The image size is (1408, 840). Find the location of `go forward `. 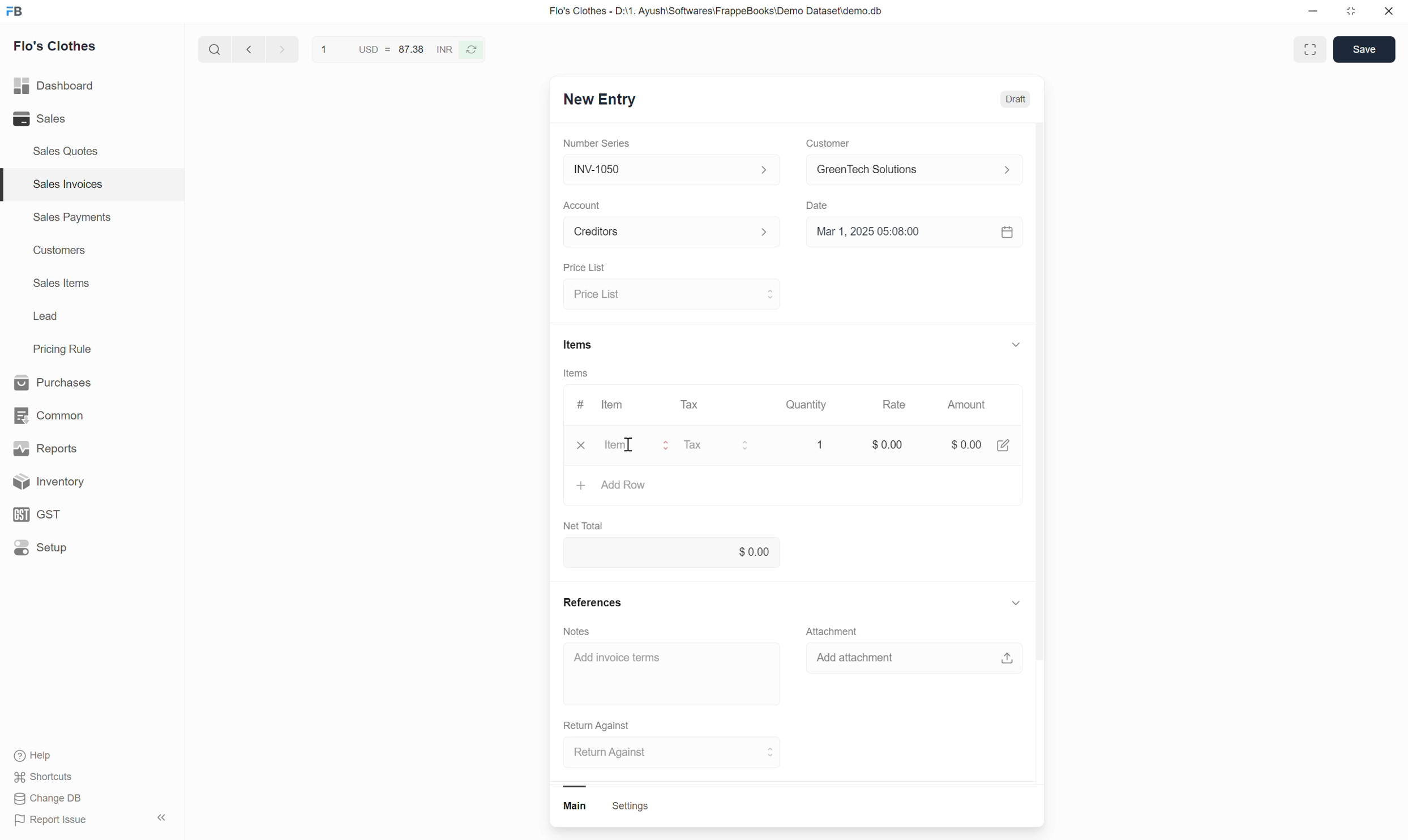

go forward  is located at coordinates (279, 52).